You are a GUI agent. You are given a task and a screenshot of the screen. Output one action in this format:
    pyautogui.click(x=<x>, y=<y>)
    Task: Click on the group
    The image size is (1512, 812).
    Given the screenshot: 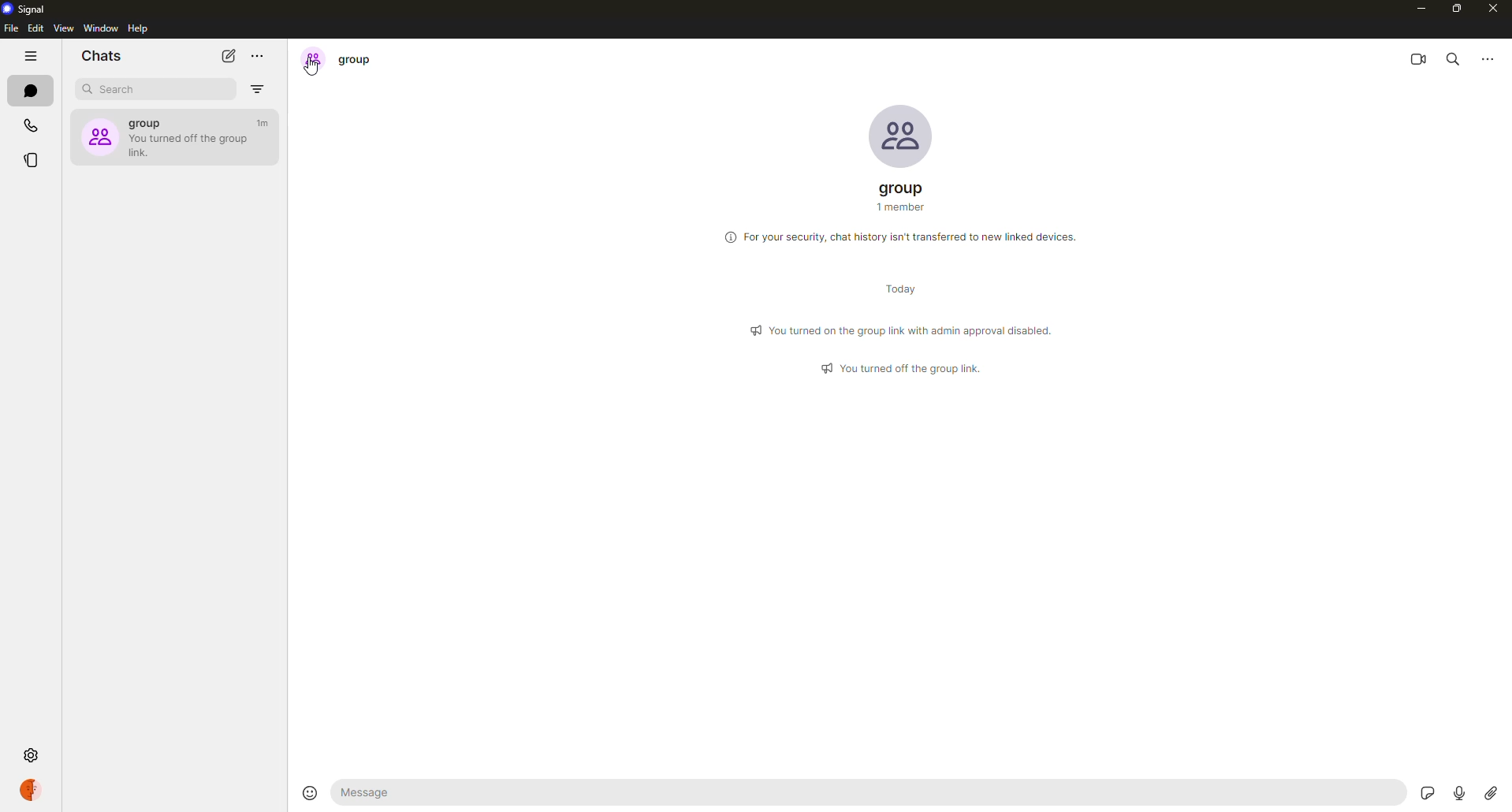 What is the action you would take?
    pyautogui.click(x=334, y=59)
    